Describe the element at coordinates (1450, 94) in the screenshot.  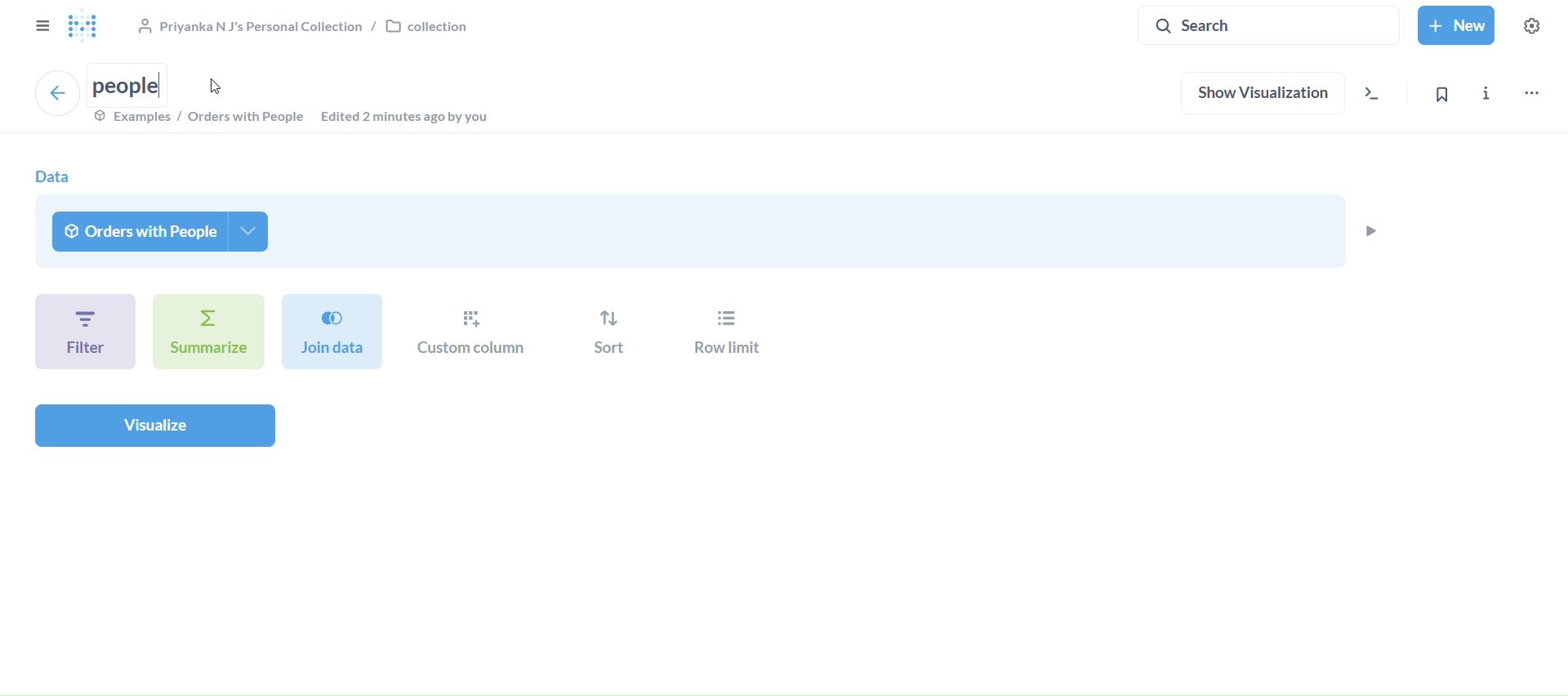
I see `bookmark ` at that location.